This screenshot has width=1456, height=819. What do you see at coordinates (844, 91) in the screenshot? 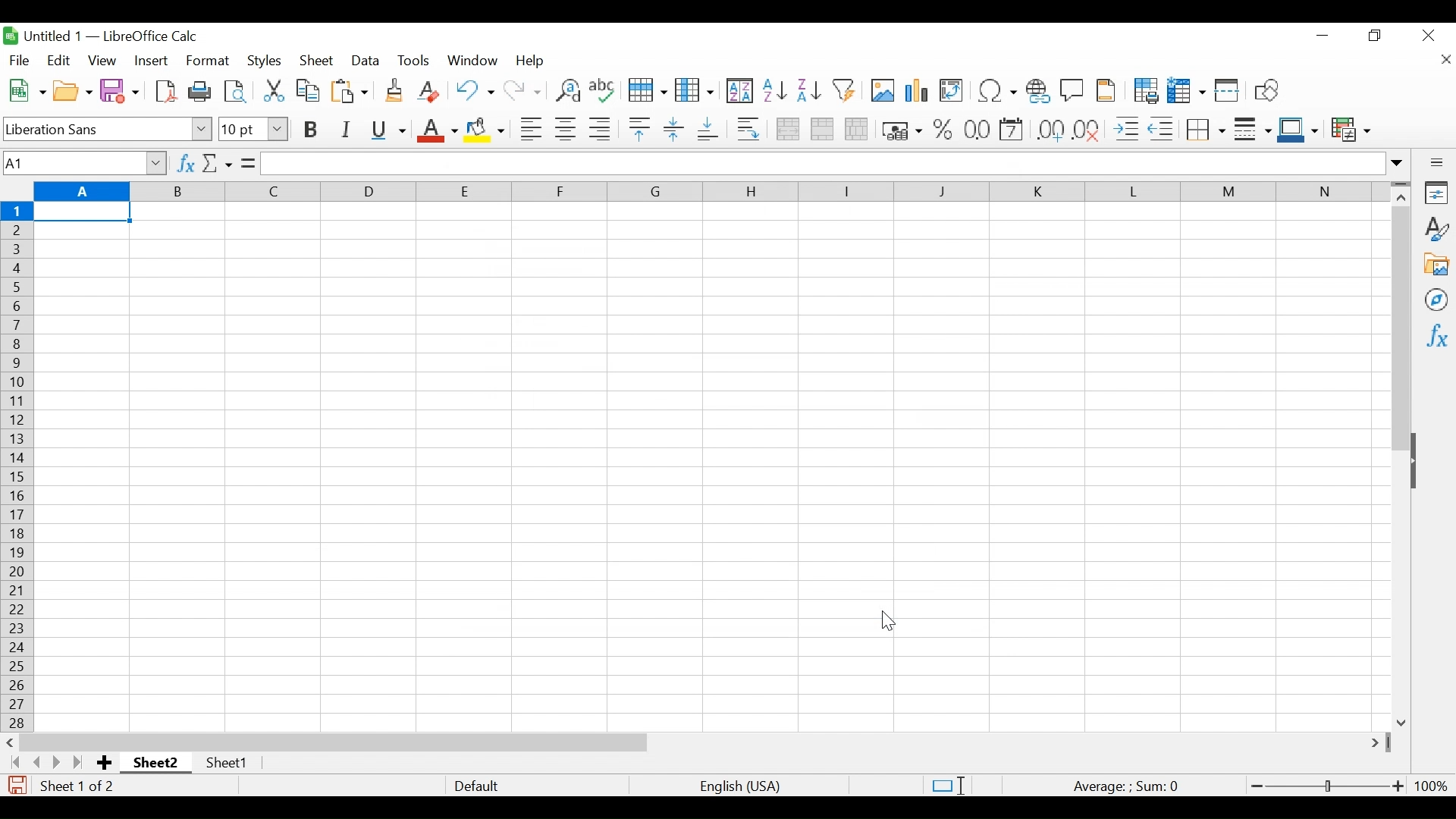
I see `Autofilter` at bounding box center [844, 91].